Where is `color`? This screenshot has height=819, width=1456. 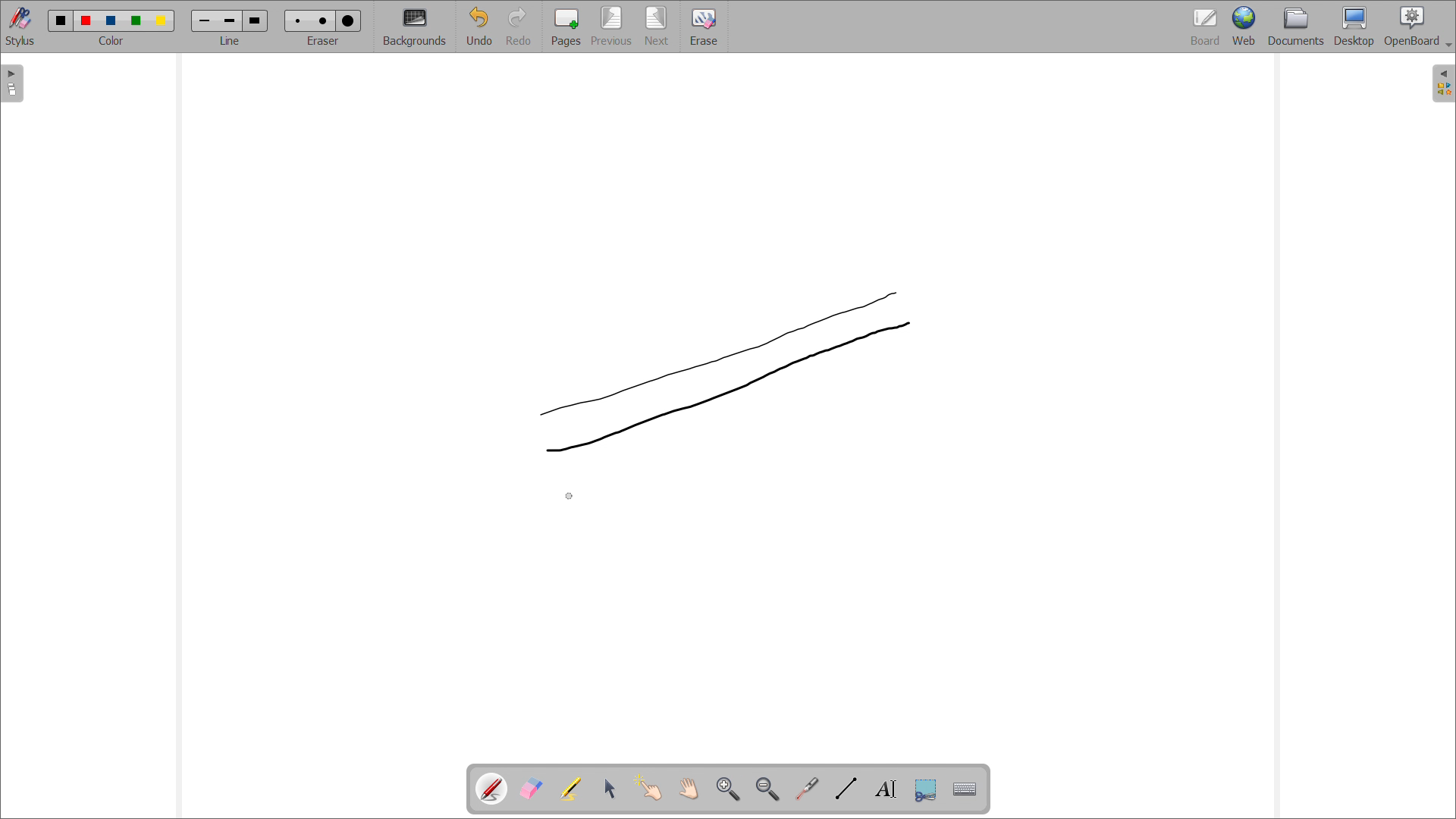 color is located at coordinates (61, 20).